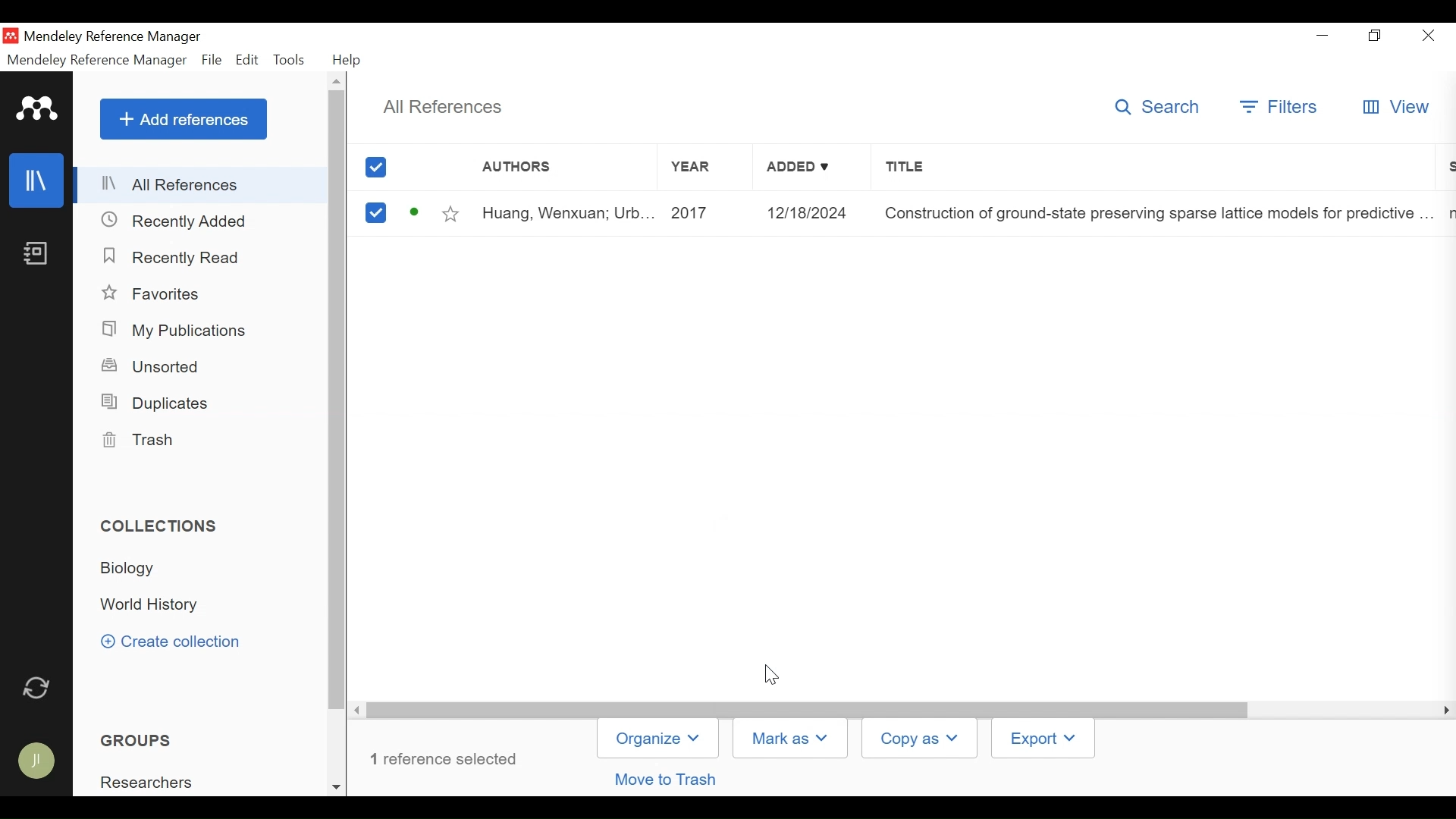 This screenshot has width=1456, height=819. Describe the element at coordinates (1429, 35) in the screenshot. I see `Close` at that location.